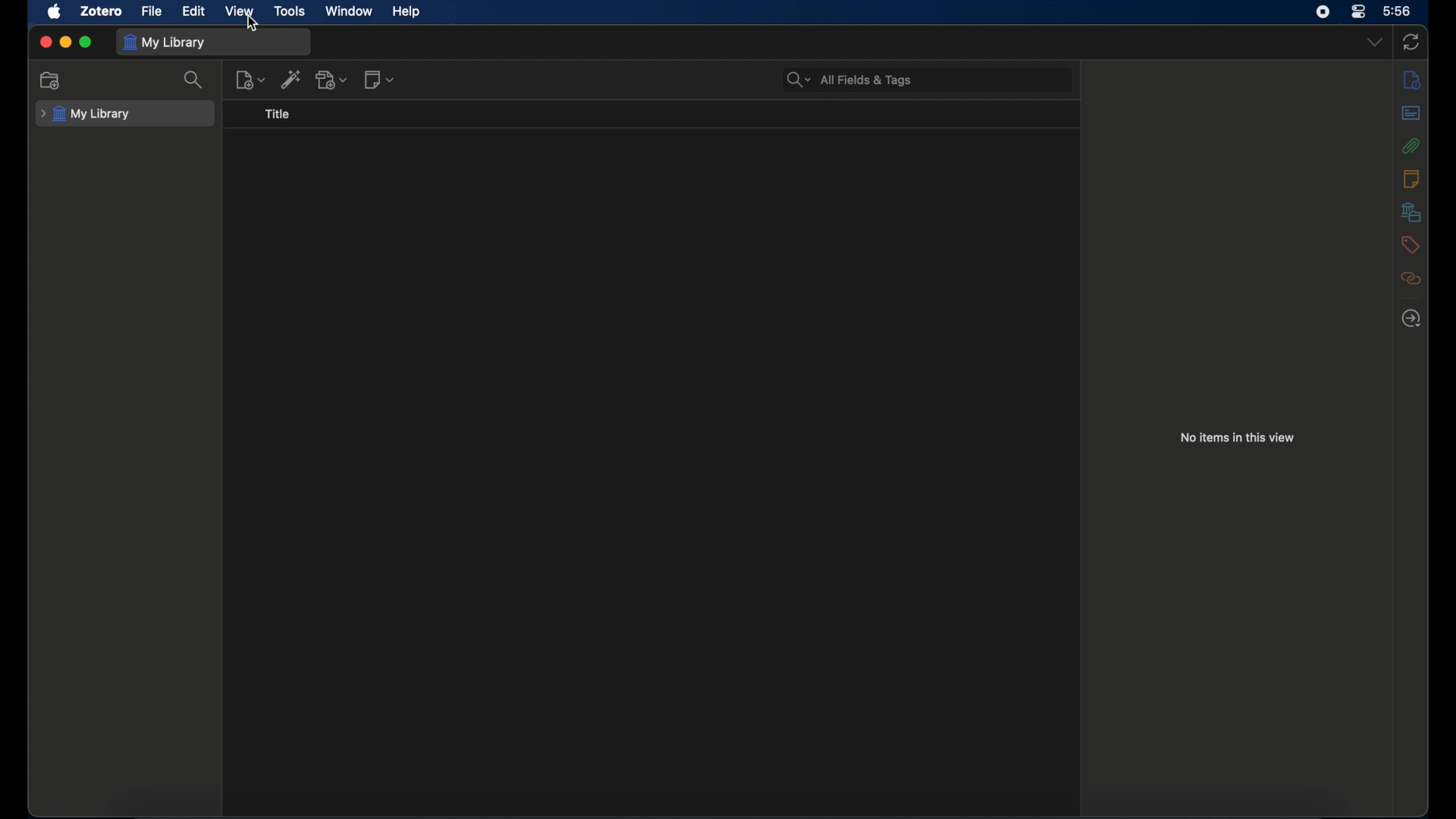 The image size is (1456, 819). What do you see at coordinates (238, 11) in the screenshot?
I see `view` at bounding box center [238, 11].